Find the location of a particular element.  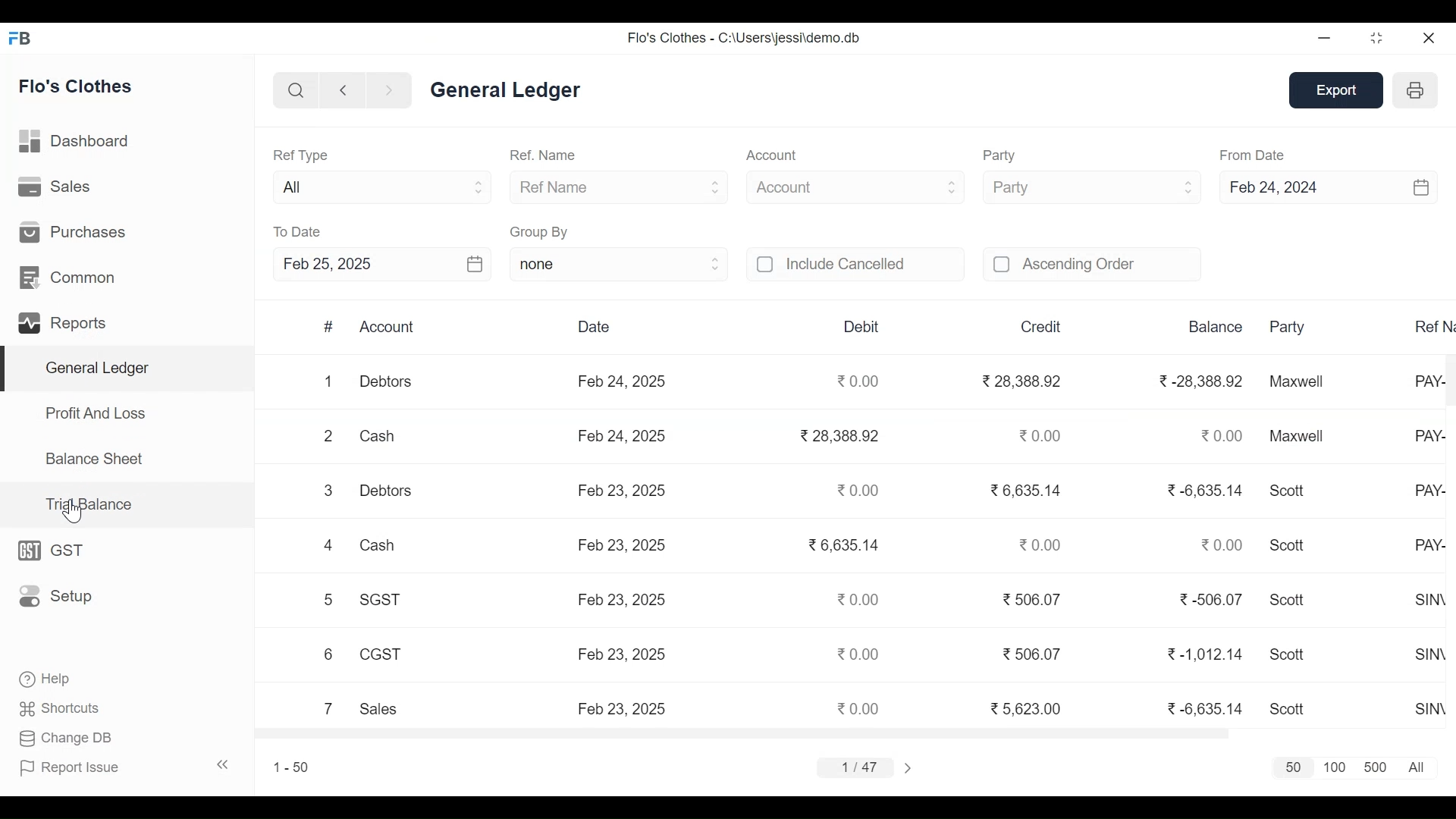

PAY- is located at coordinates (1430, 381).